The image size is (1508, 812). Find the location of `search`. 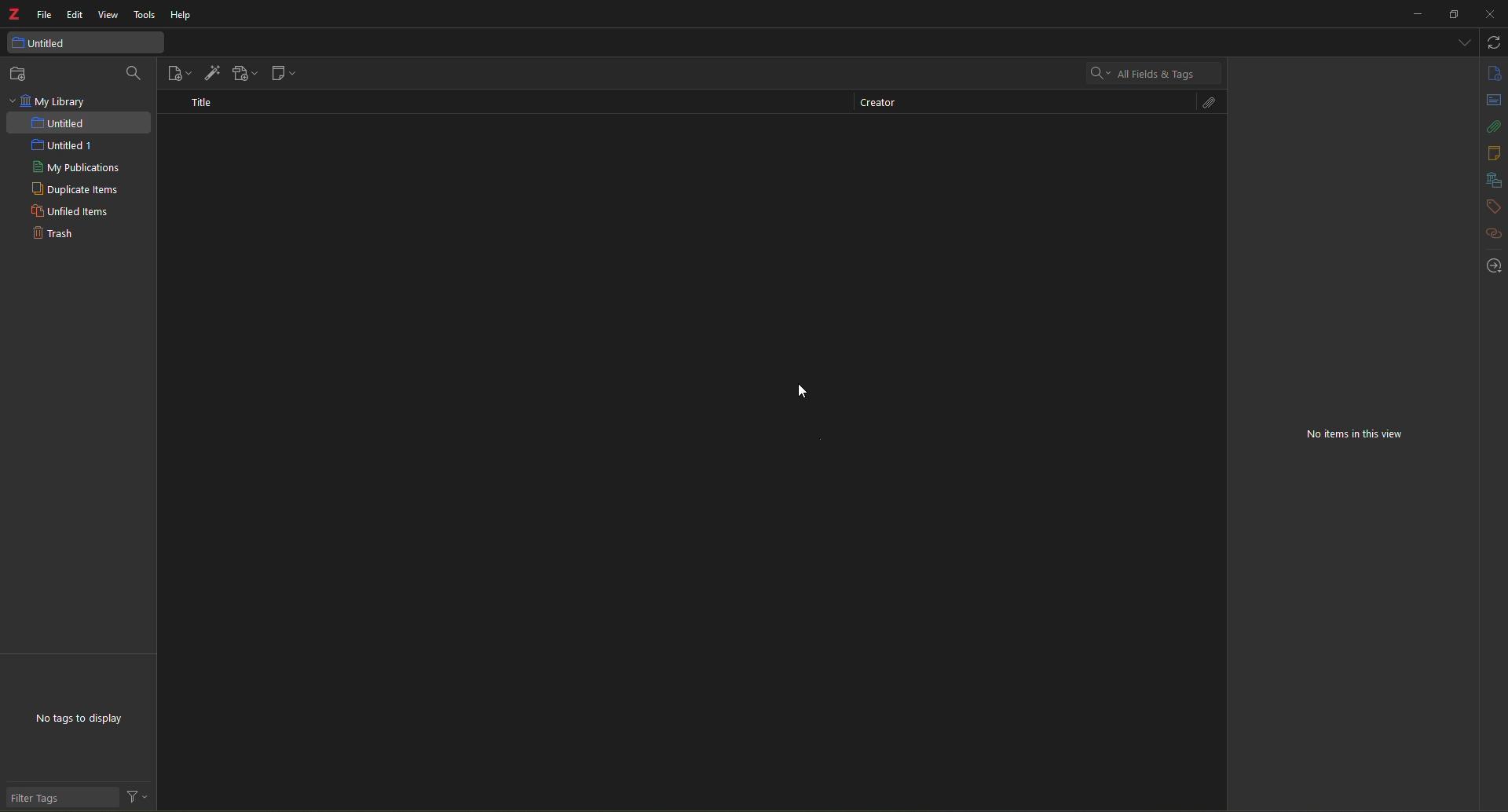

search is located at coordinates (1151, 73).